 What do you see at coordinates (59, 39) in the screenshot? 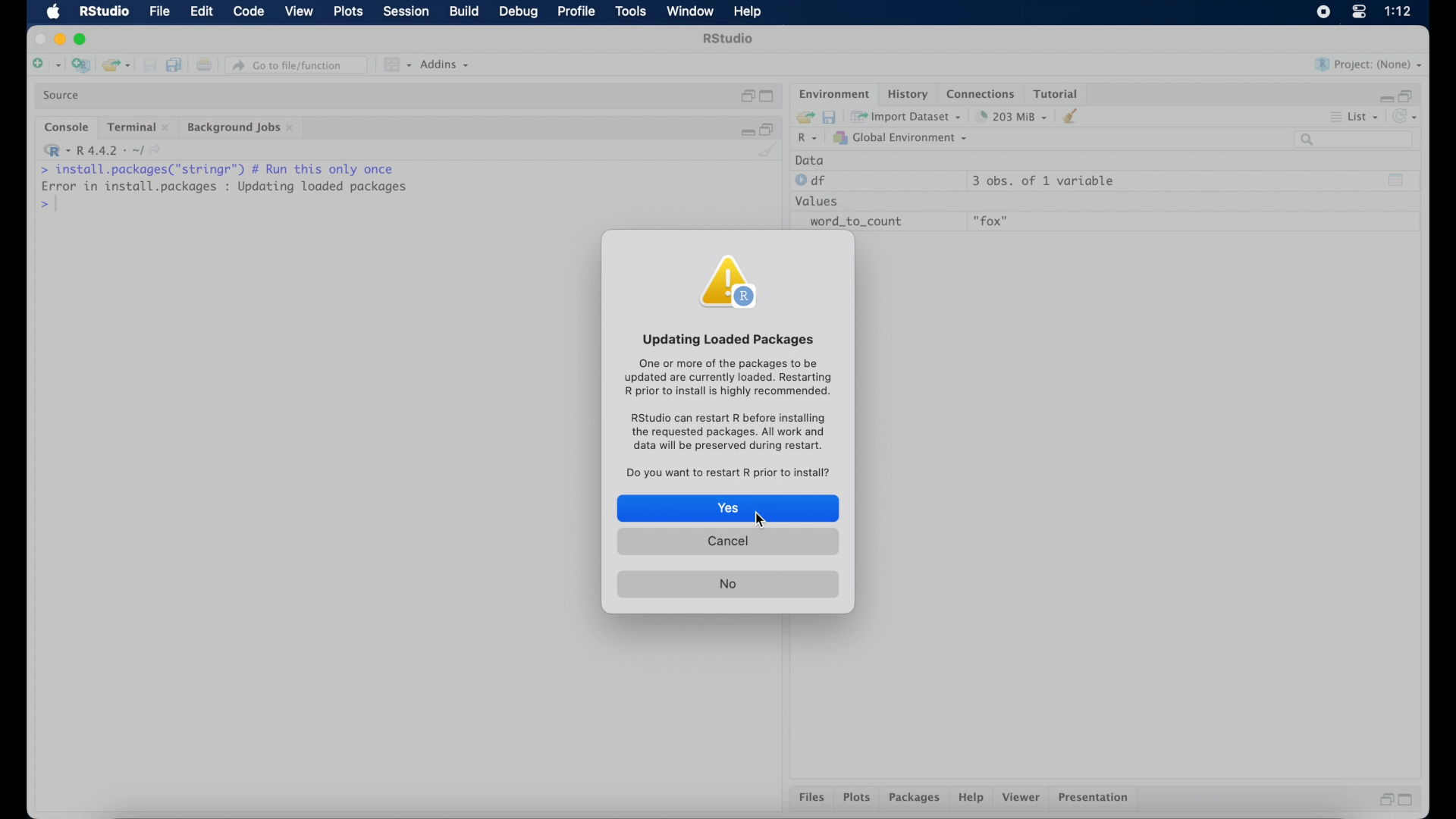
I see `minimize` at bounding box center [59, 39].